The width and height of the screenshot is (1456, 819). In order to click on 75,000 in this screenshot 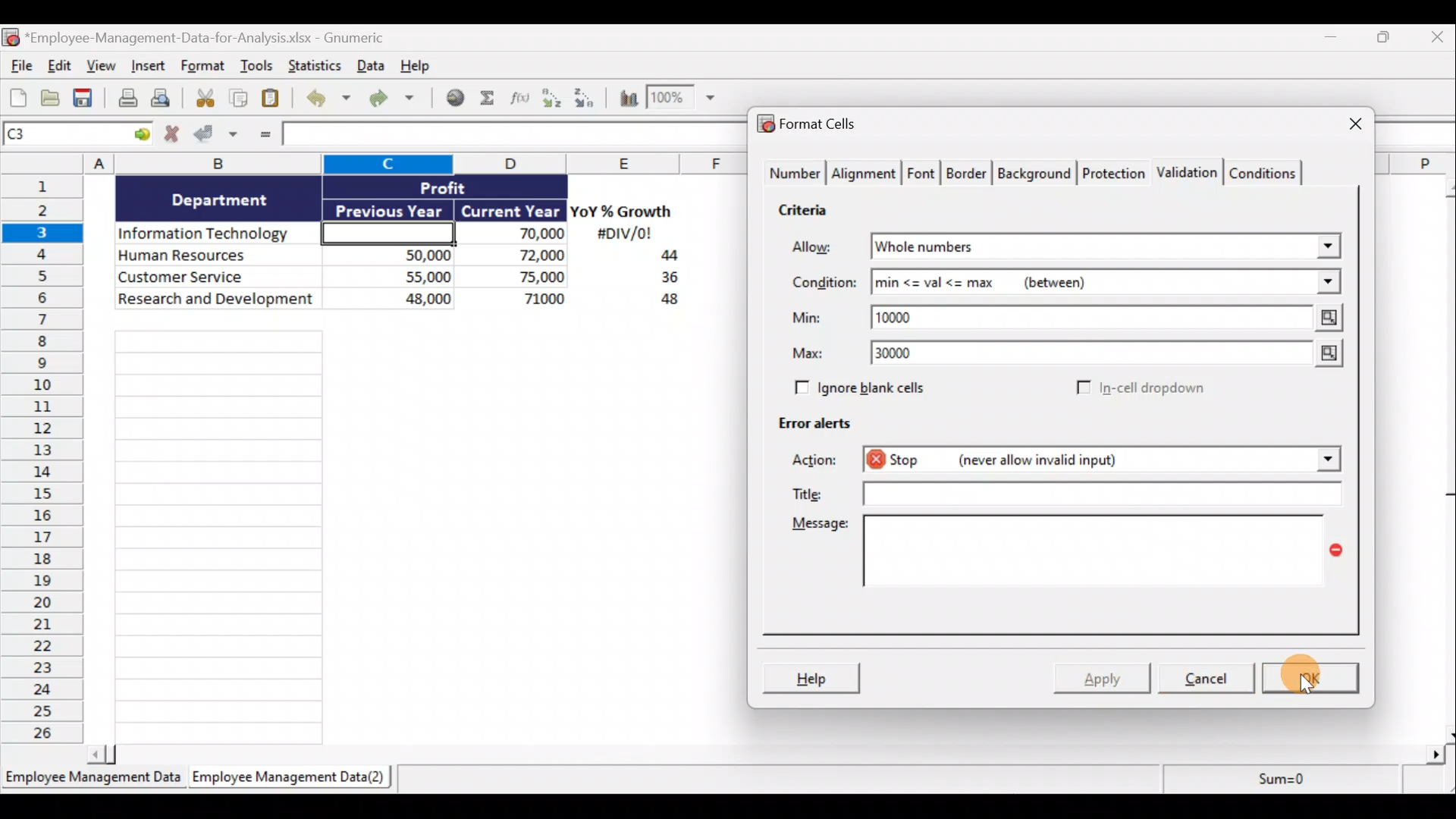, I will do `click(519, 278)`.